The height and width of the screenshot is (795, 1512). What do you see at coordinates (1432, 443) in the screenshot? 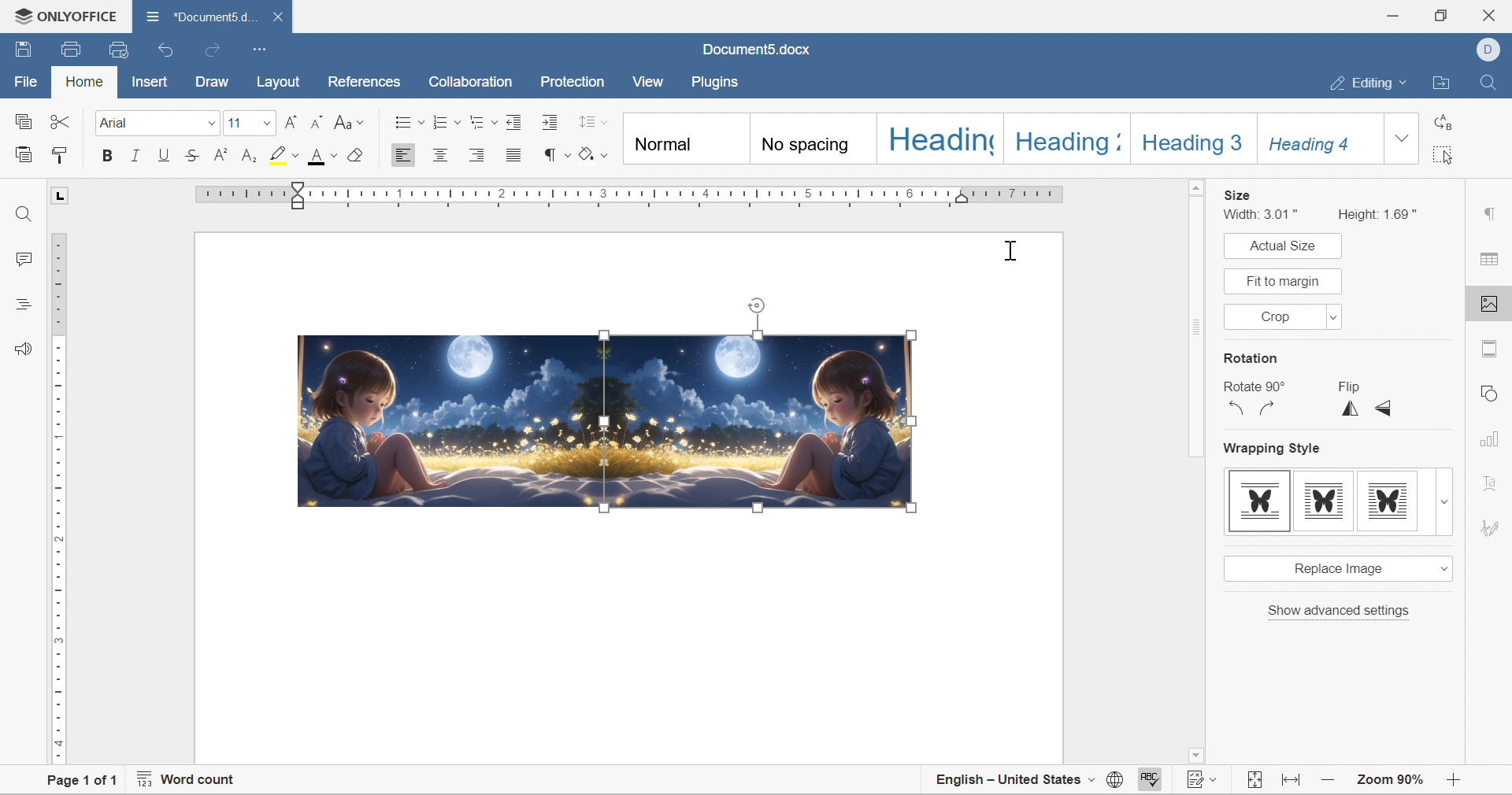
I see `flip horizontally` at bounding box center [1432, 443].